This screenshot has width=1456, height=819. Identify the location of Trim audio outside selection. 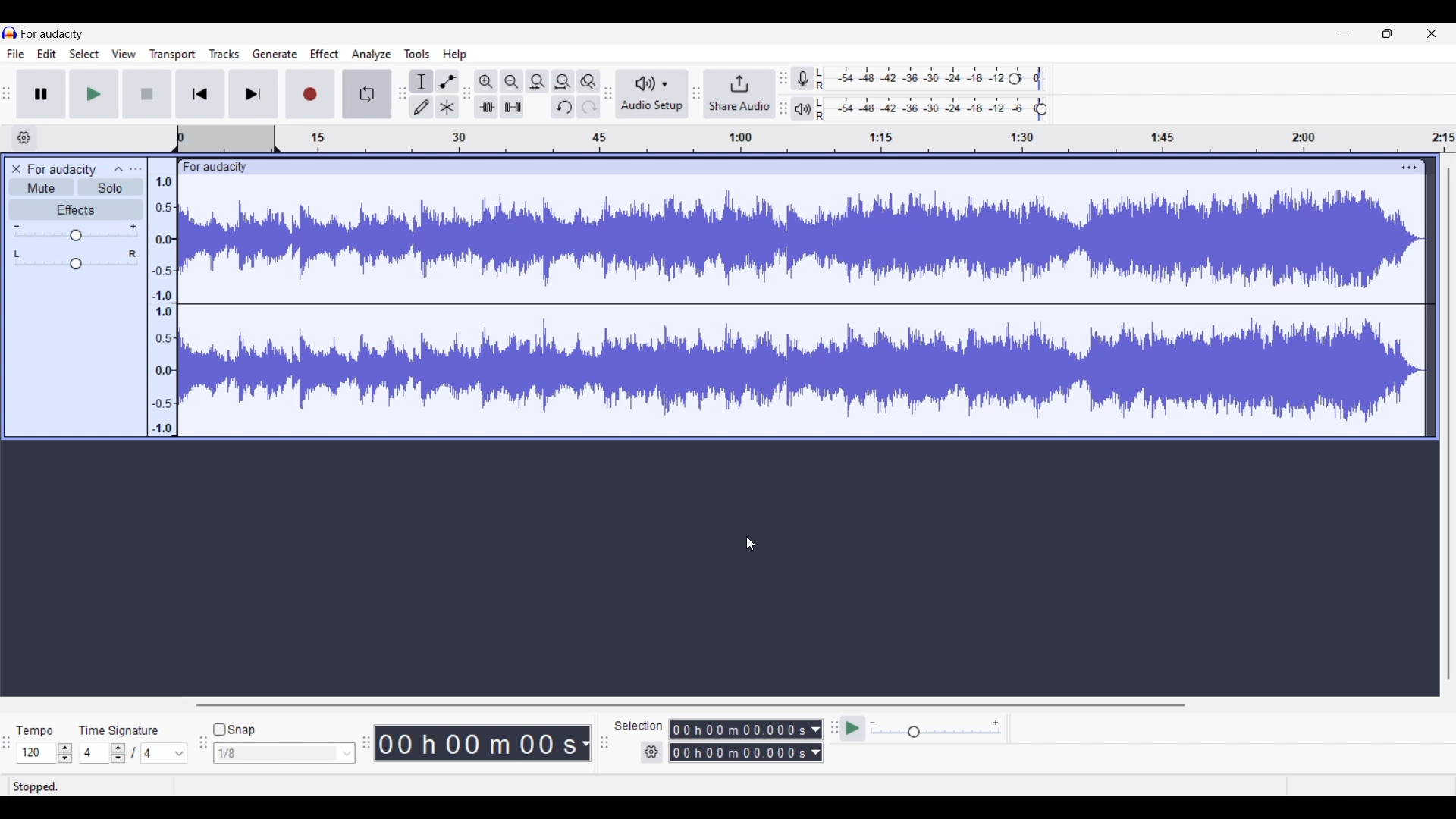
(488, 107).